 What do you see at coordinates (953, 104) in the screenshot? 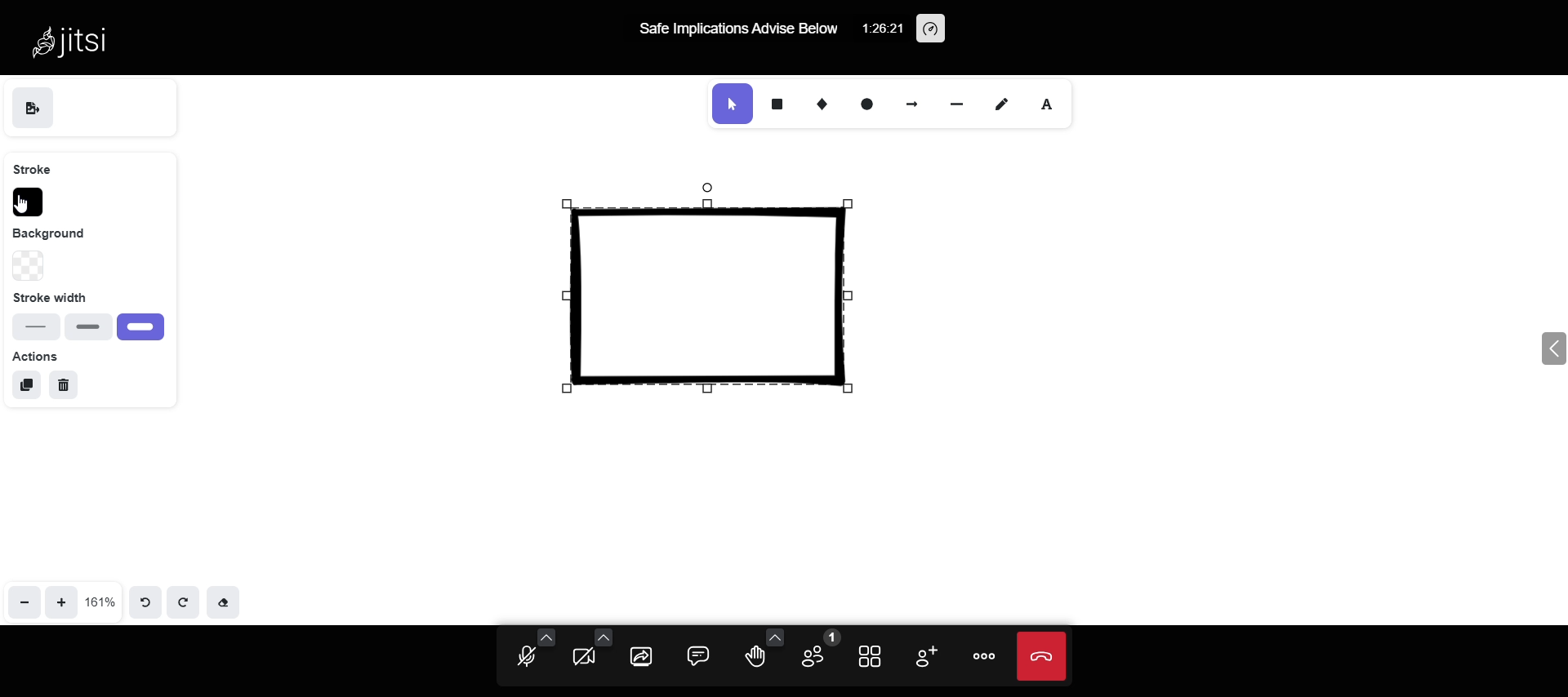
I see `line` at bounding box center [953, 104].